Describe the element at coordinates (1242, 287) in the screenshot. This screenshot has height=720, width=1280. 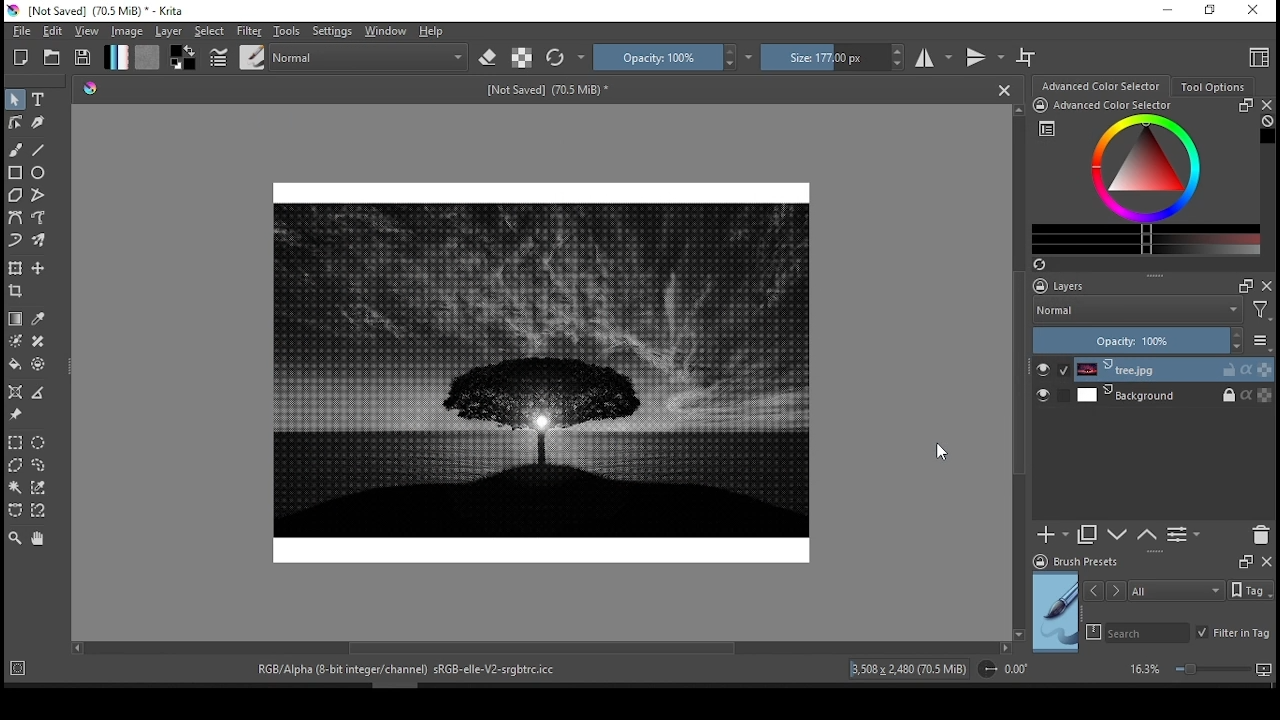
I see `Frame` at that location.